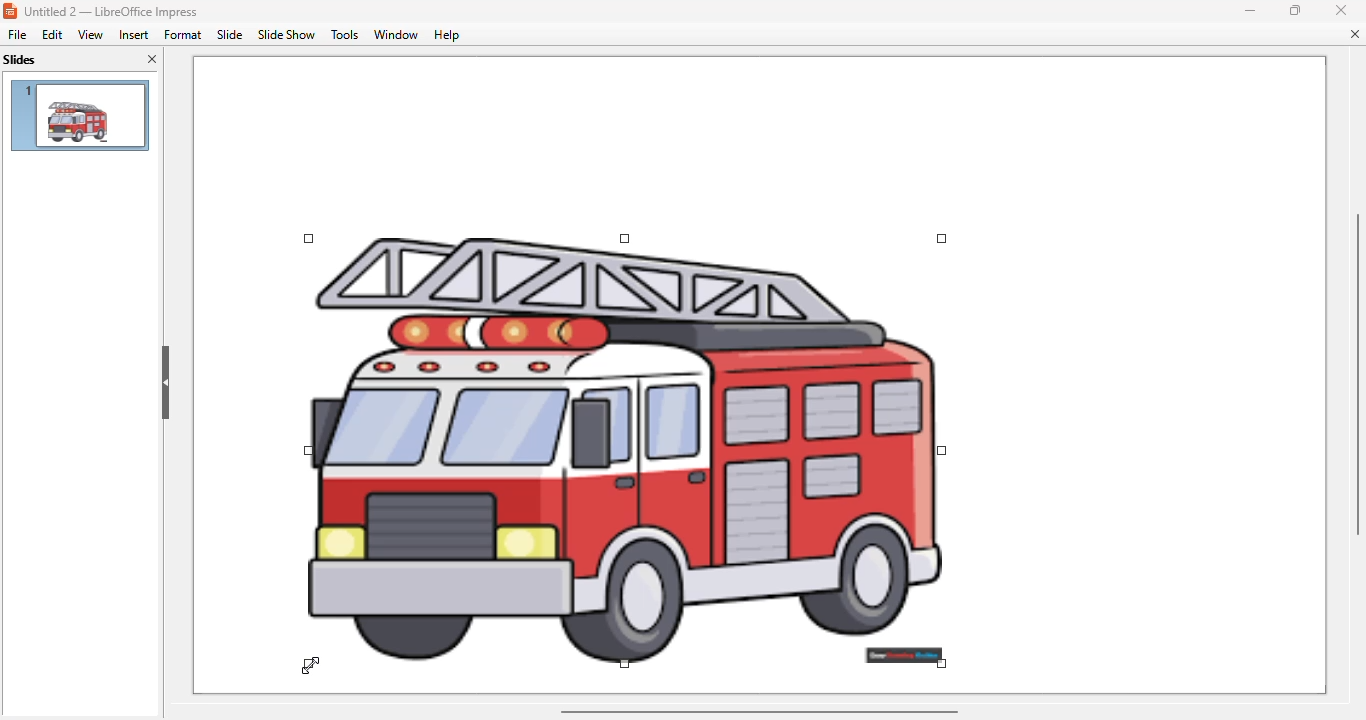  What do you see at coordinates (625, 238) in the screenshot?
I see `corner handles` at bounding box center [625, 238].